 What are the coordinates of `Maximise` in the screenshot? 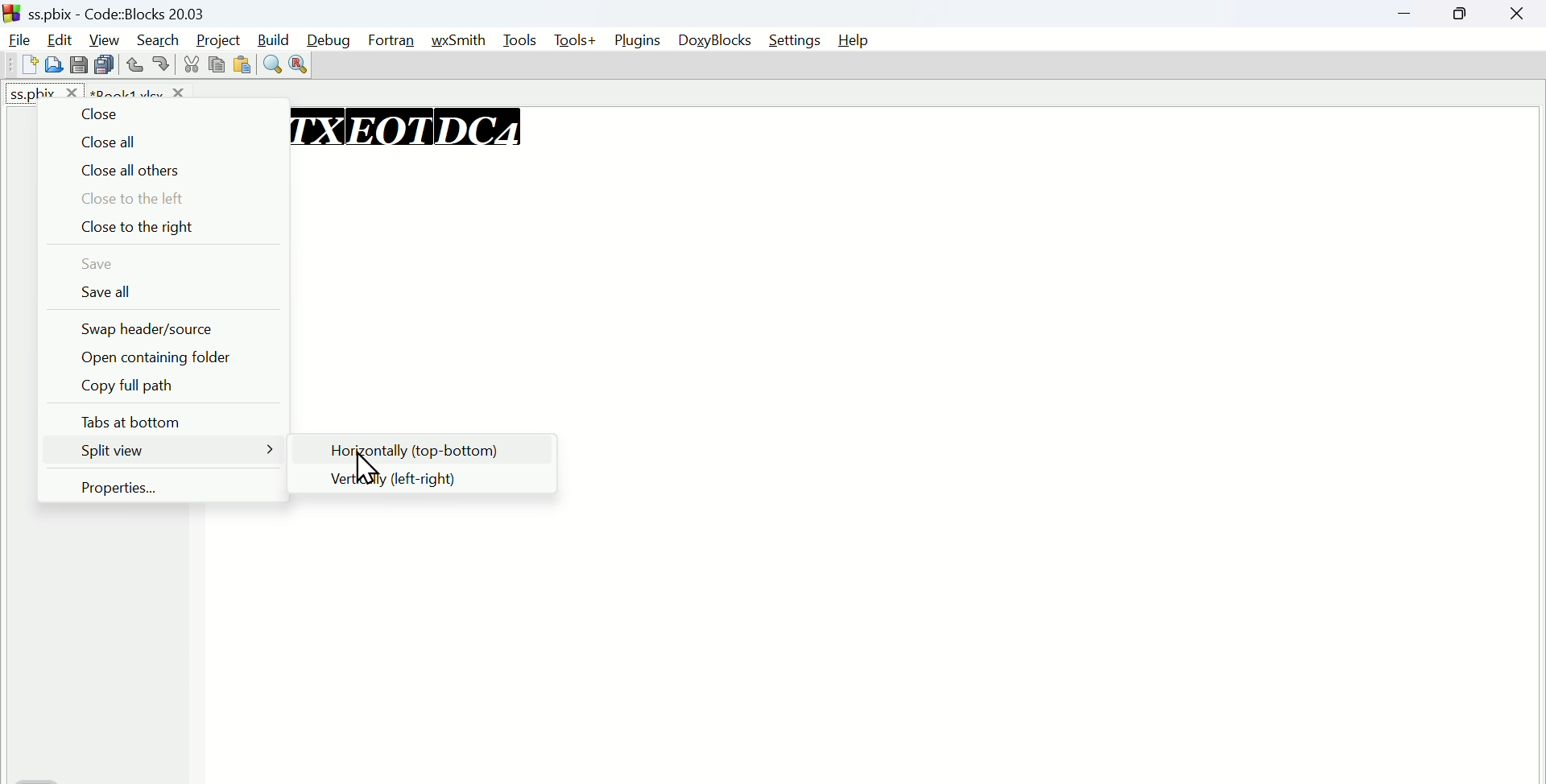 It's located at (1464, 14).